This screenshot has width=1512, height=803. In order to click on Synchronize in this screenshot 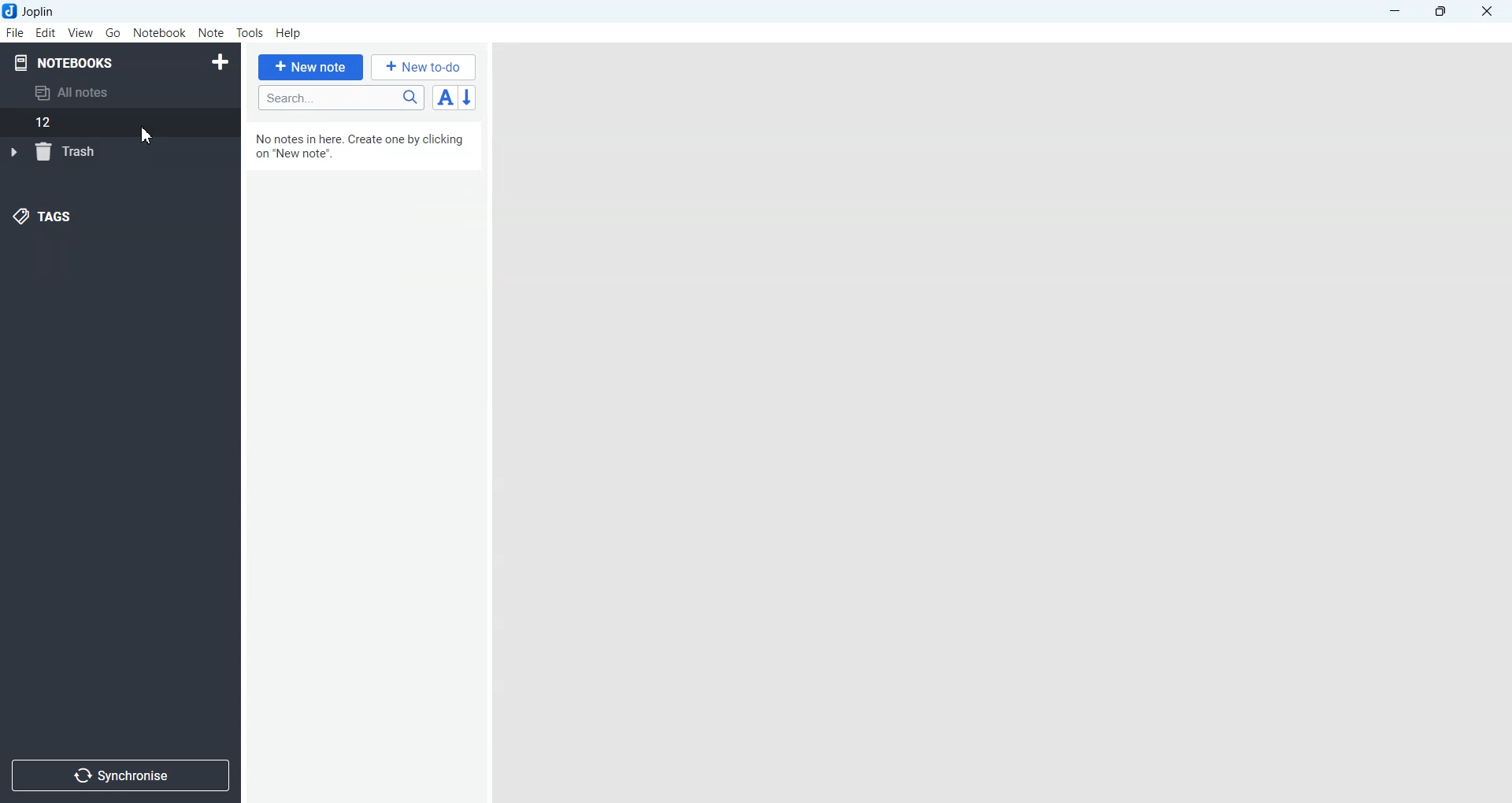, I will do `click(120, 774)`.